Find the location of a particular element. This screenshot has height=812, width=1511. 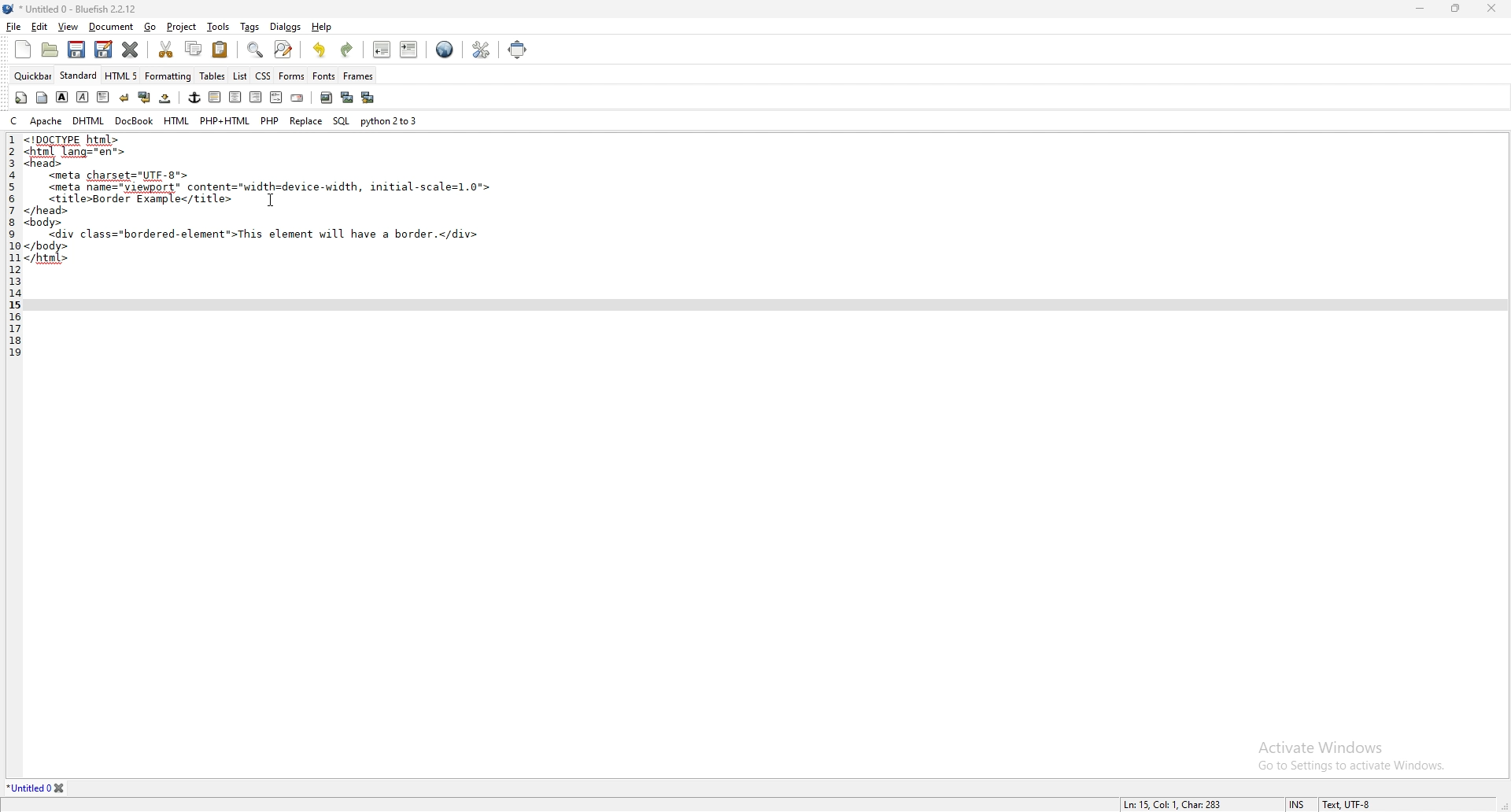

open is located at coordinates (52, 51).